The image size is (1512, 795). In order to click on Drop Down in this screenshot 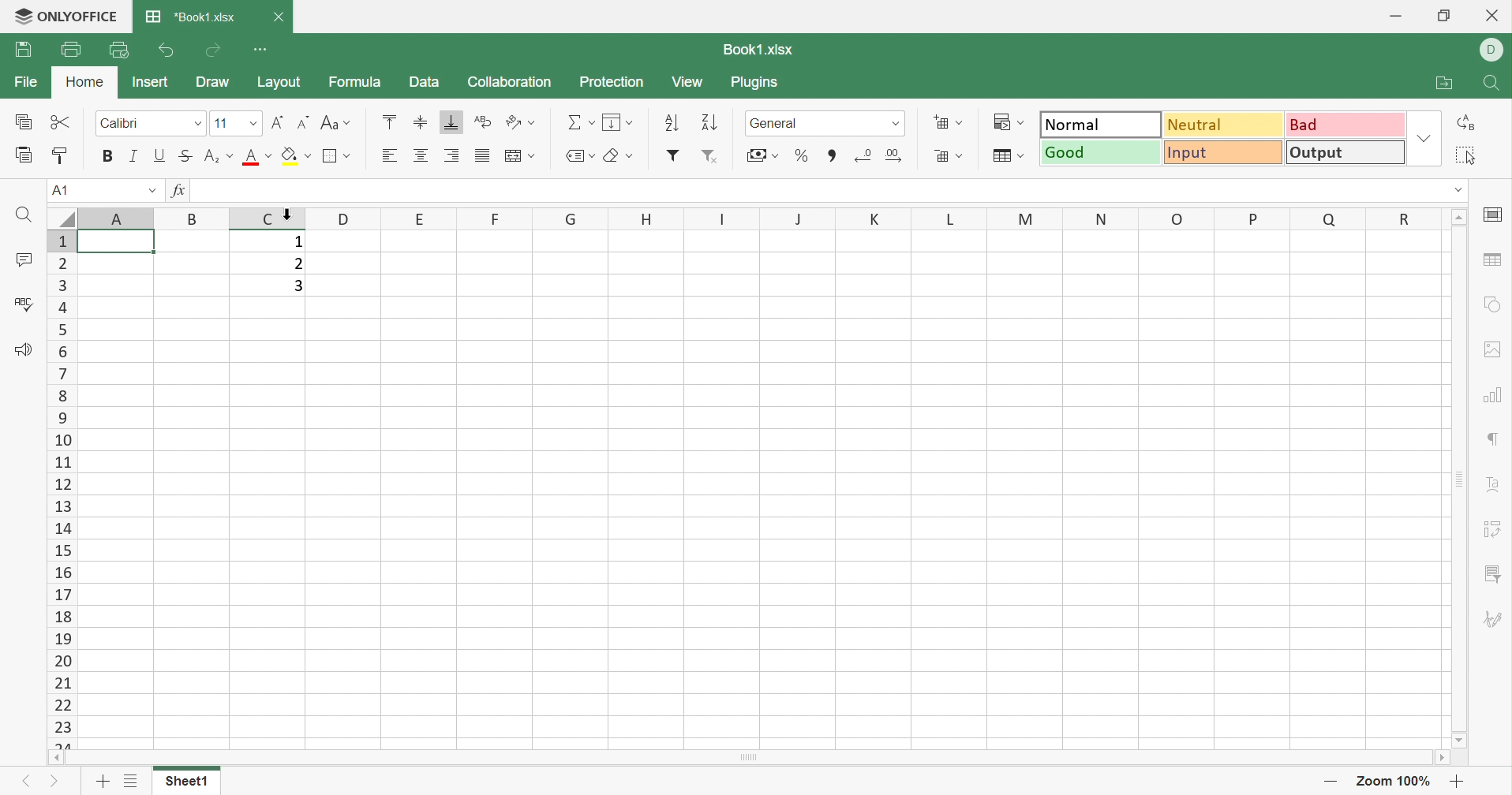, I will do `click(151, 192)`.